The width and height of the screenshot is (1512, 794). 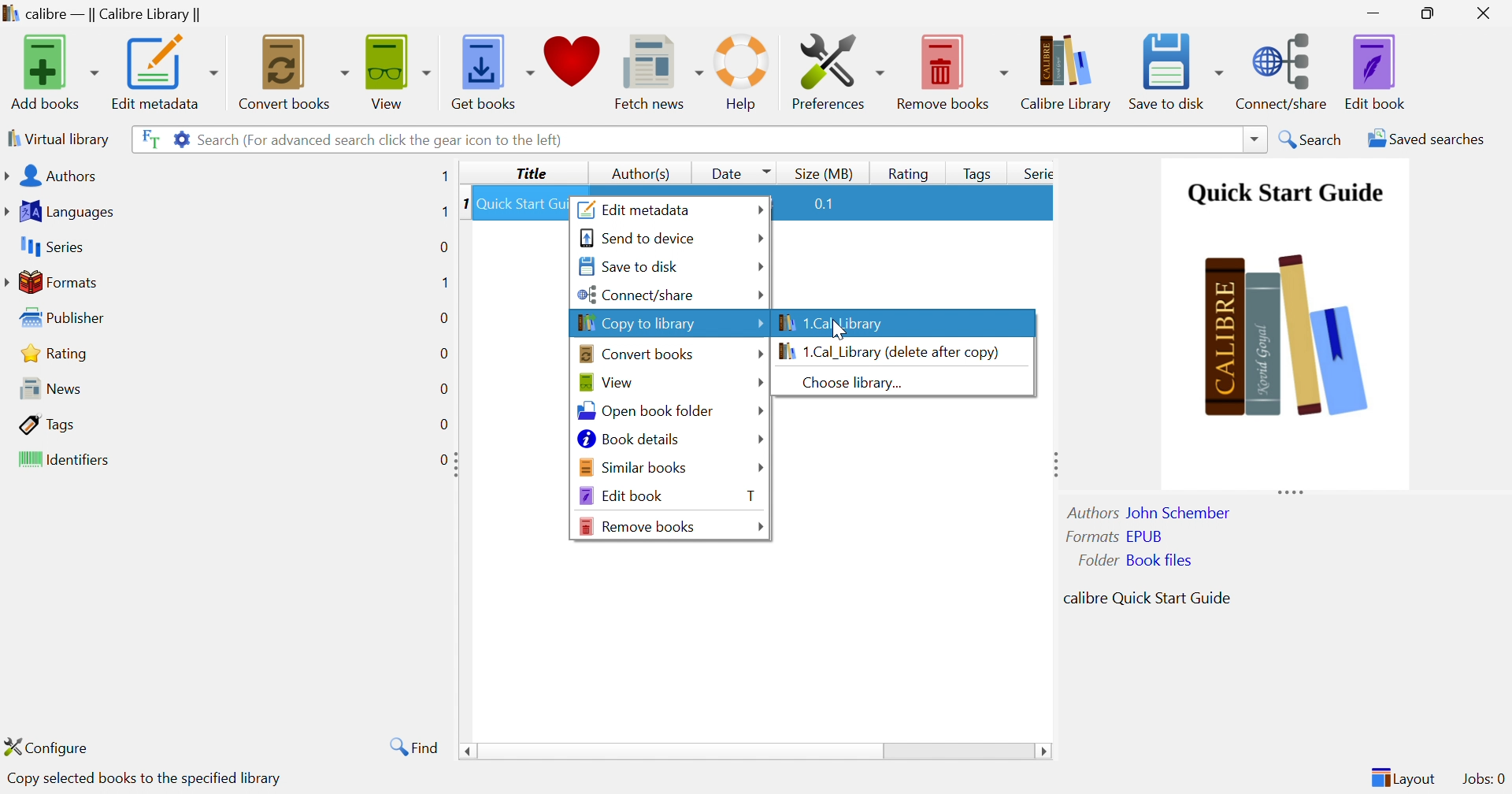 I want to click on Drop Down, so click(x=760, y=526).